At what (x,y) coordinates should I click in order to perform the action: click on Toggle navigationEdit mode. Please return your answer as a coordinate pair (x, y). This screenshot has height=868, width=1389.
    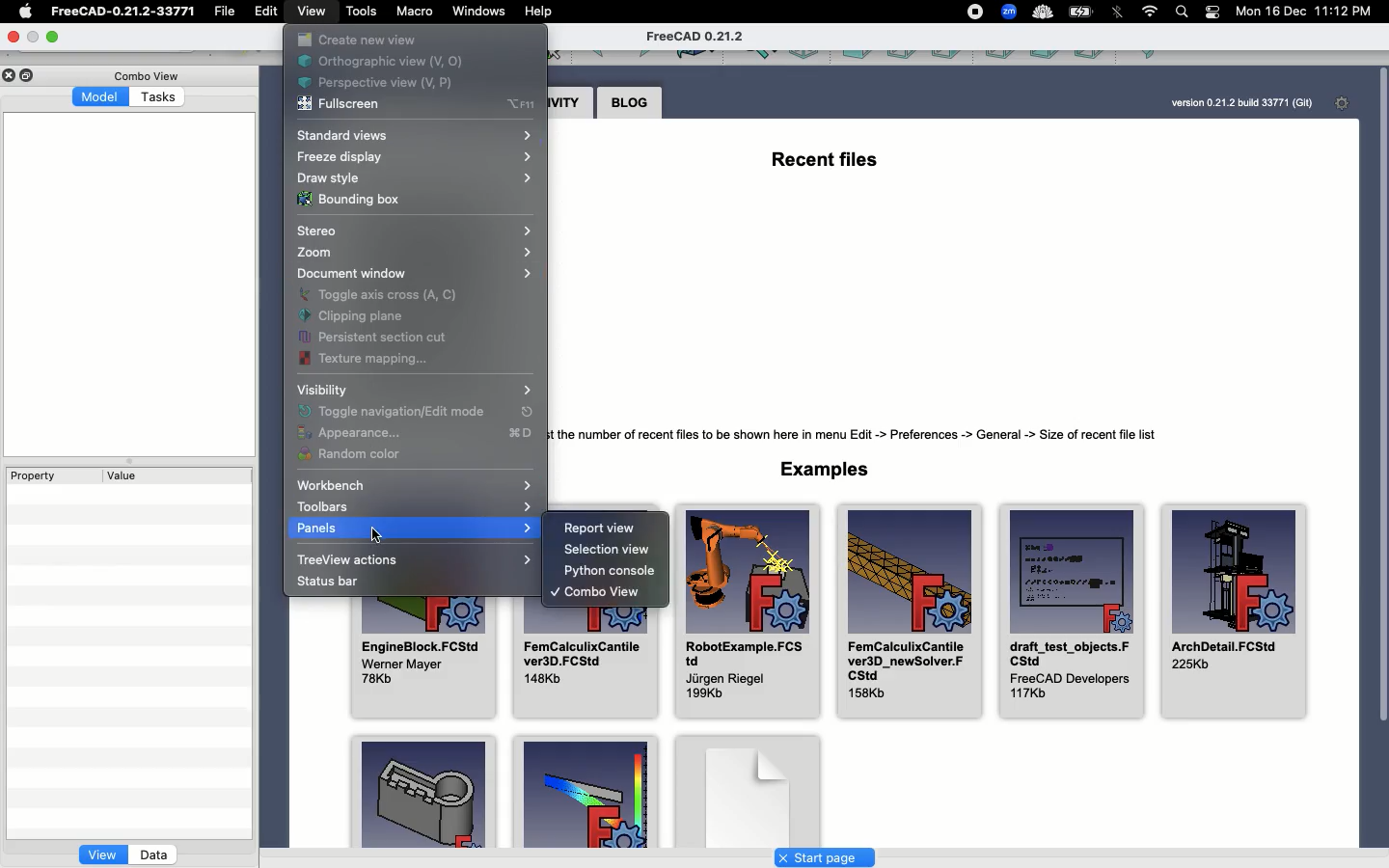
    Looking at the image, I should click on (417, 412).